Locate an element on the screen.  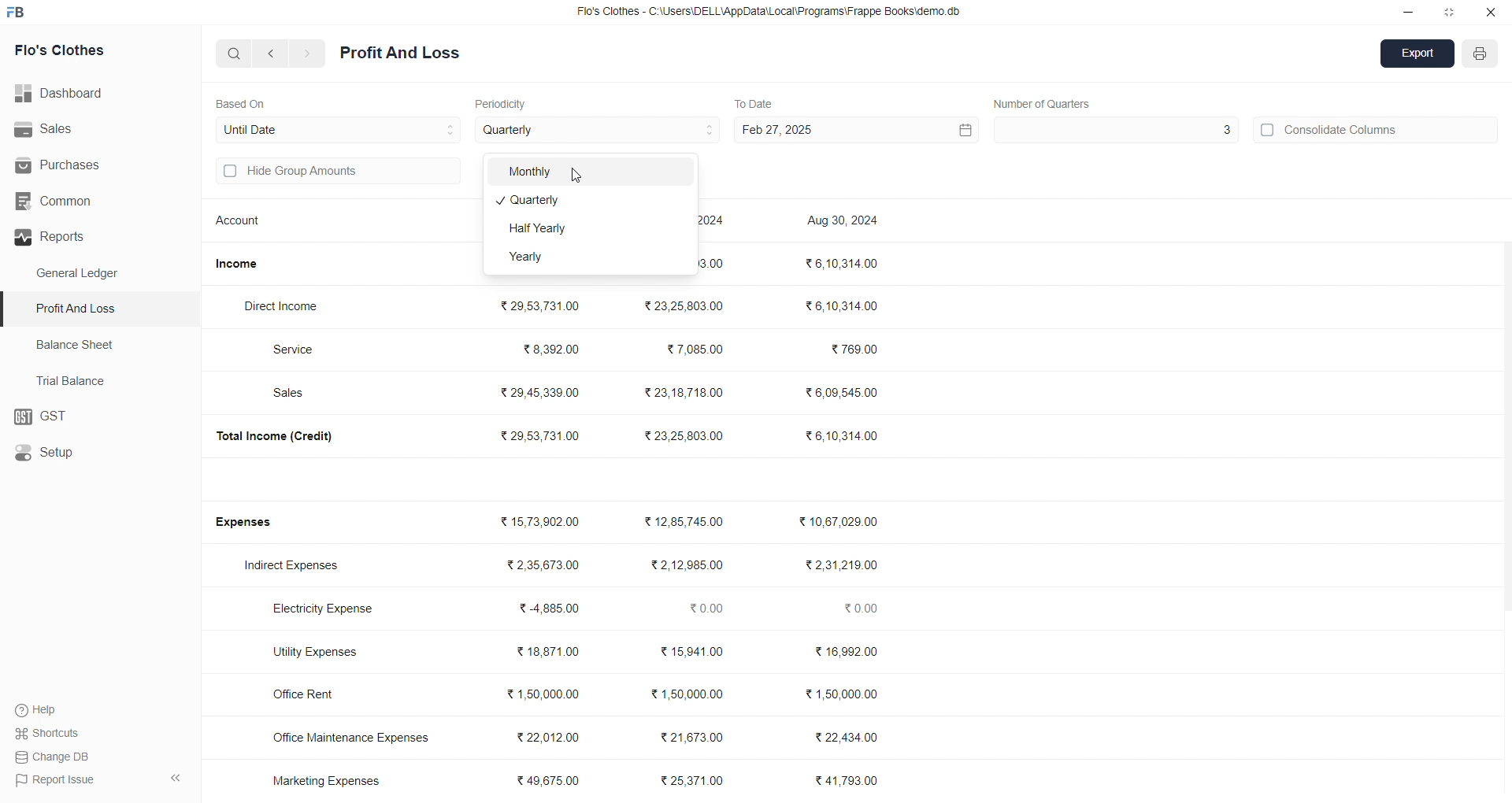
₹15,941.00 is located at coordinates (695, 652).